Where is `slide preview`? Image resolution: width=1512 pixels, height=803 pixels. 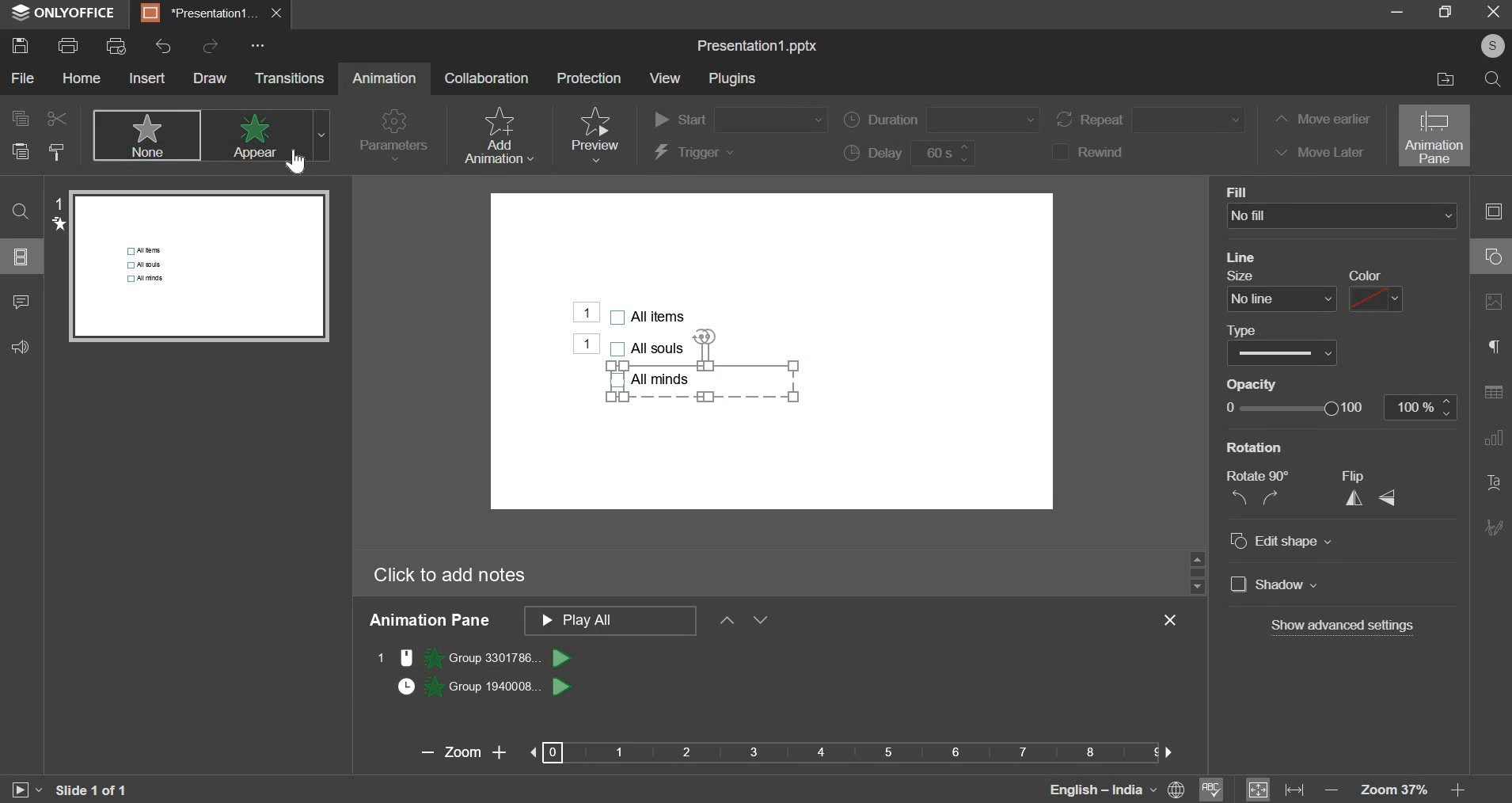 slide preview is located at coordinates (200, 265).